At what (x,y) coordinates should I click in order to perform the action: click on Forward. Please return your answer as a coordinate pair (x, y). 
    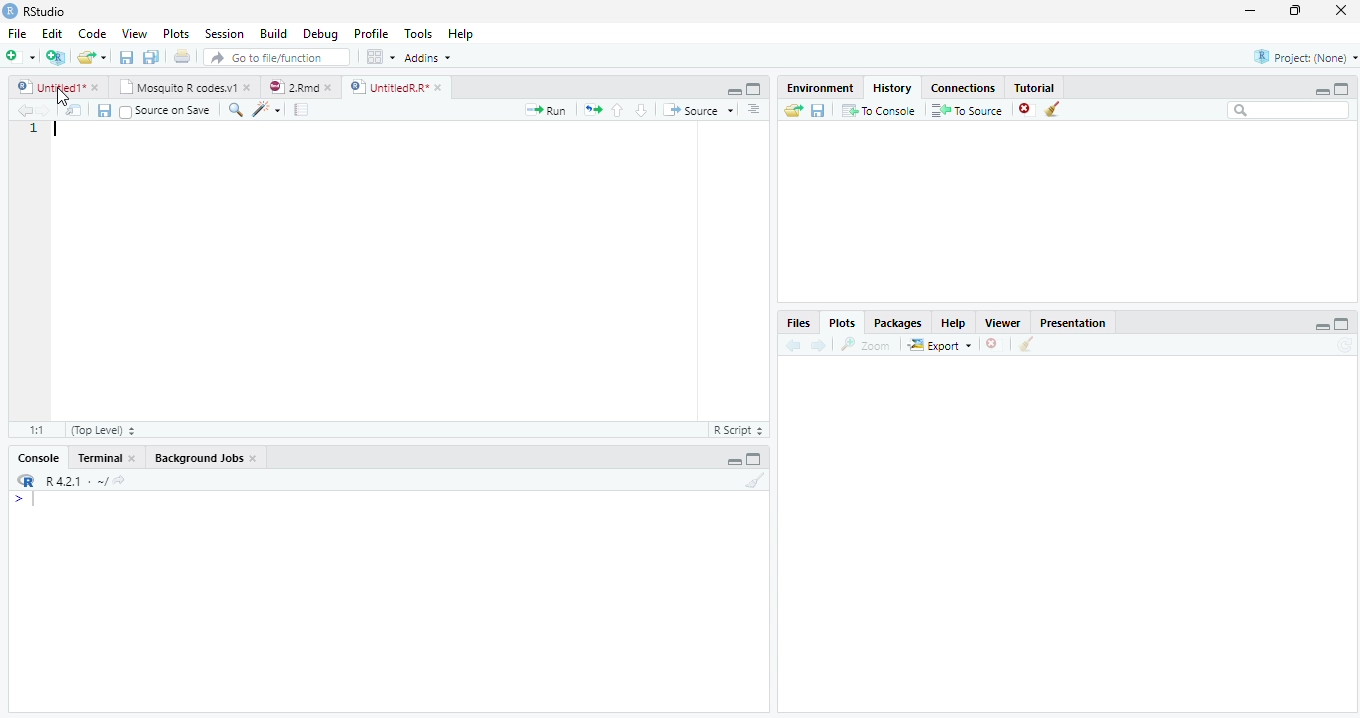
    Looking at the image, I should click on (50, 110).